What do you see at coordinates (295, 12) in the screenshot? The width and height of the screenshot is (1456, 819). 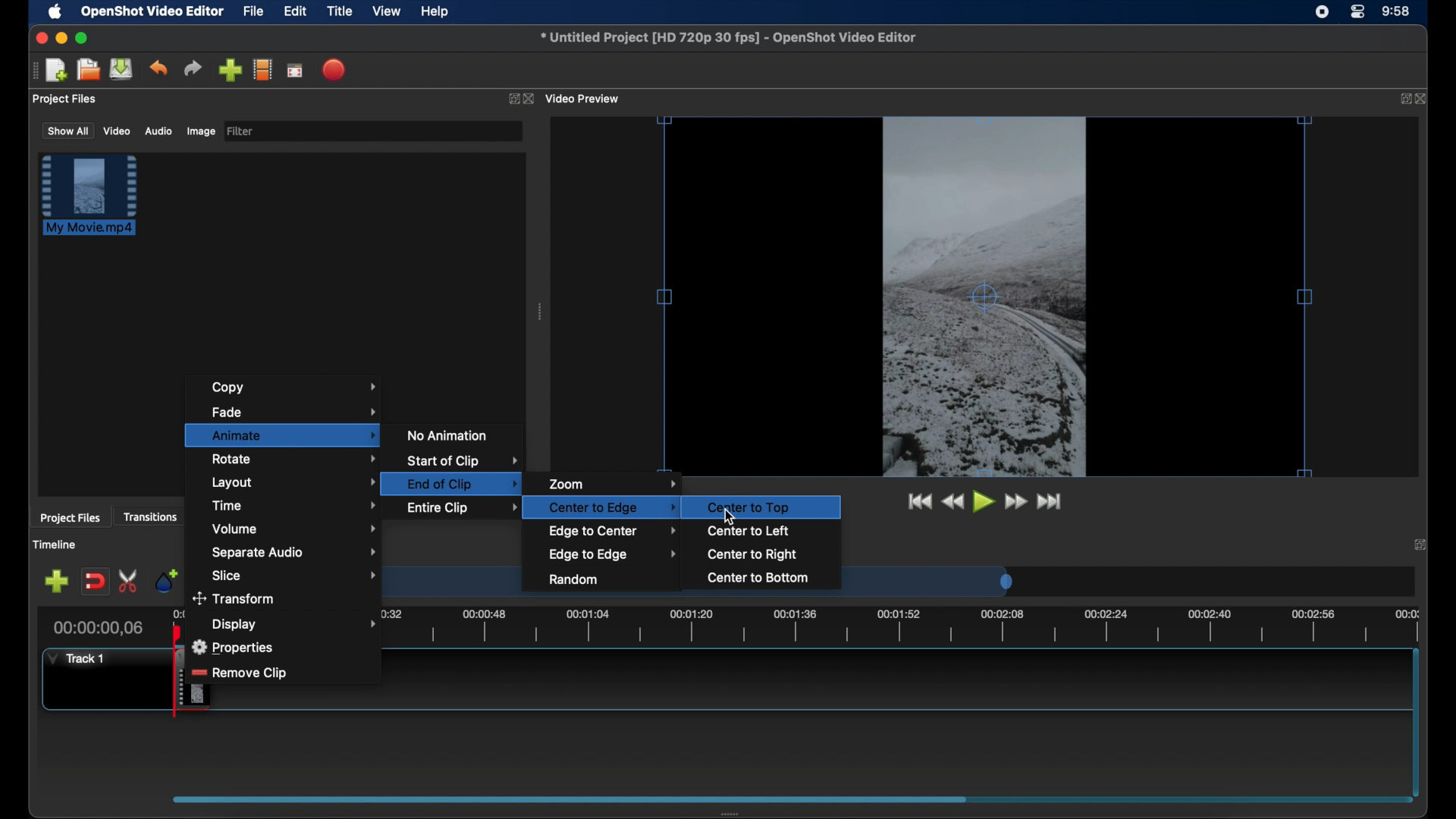 I see `edit` at bounding box center [295, 12].